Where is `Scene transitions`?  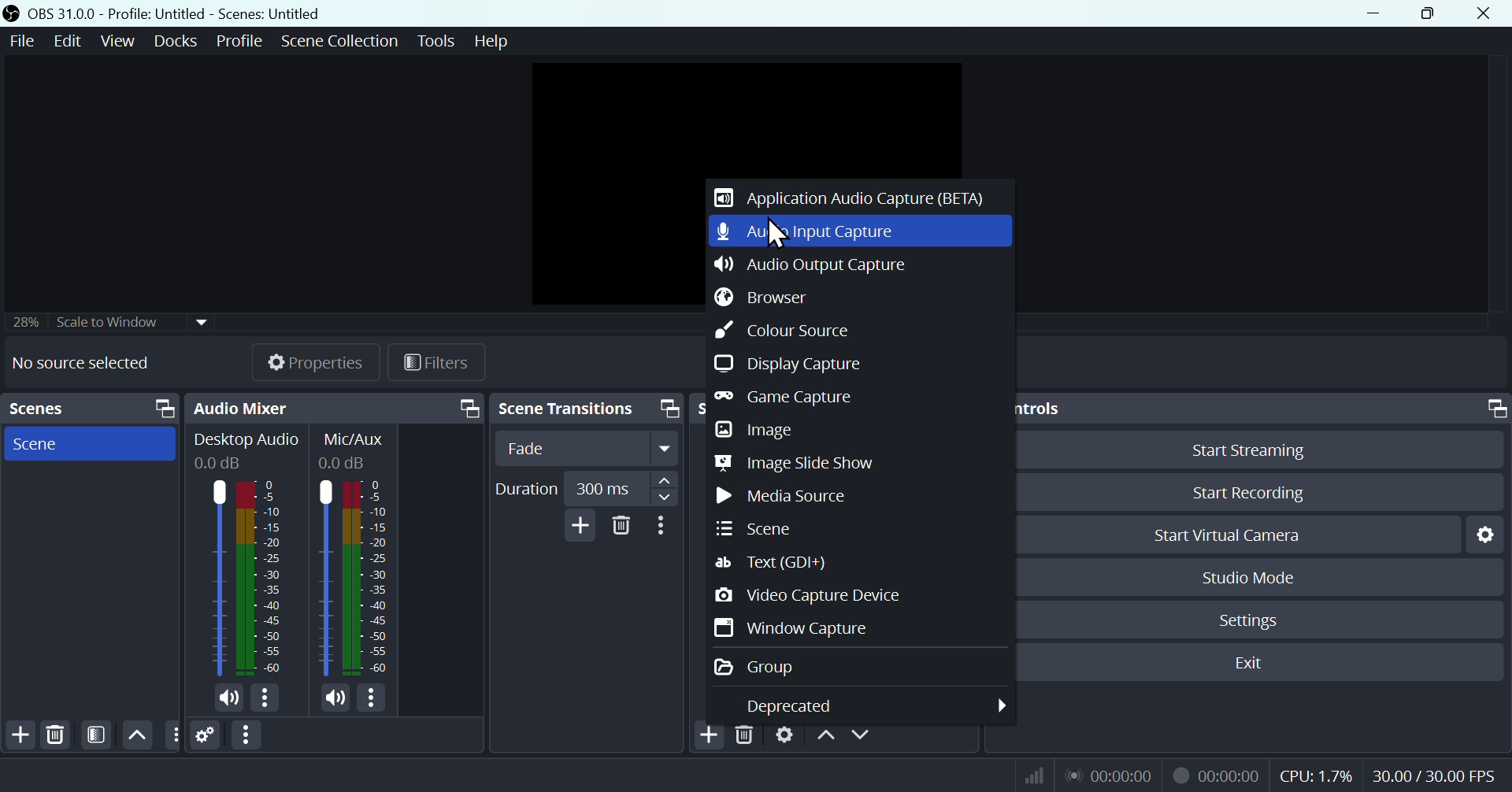 Scene transitions is located at coordinates (584, 410).